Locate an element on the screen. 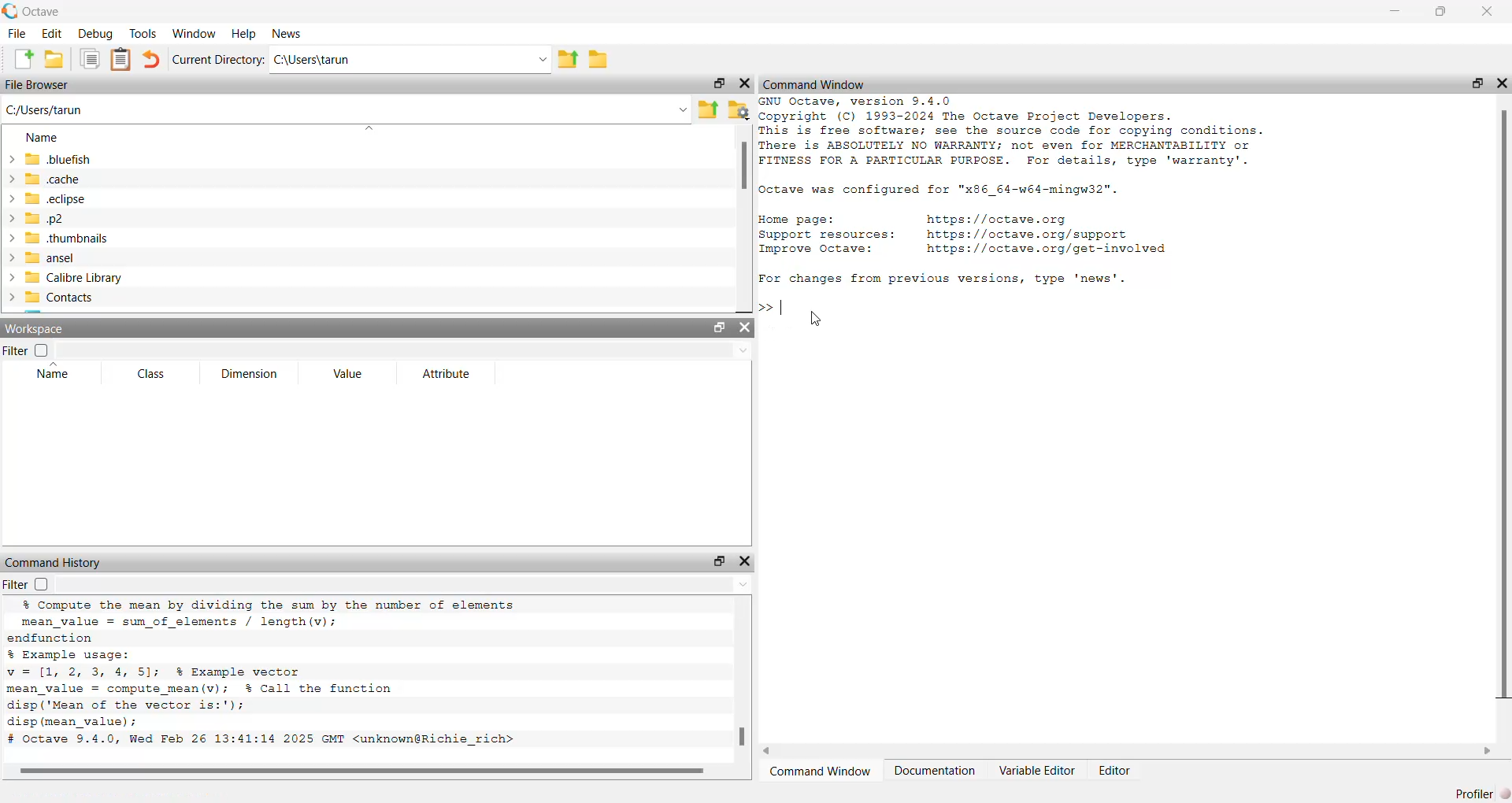 The width and height of the screenshot is (1512, 803). add file is located at coordinates (23, 59).